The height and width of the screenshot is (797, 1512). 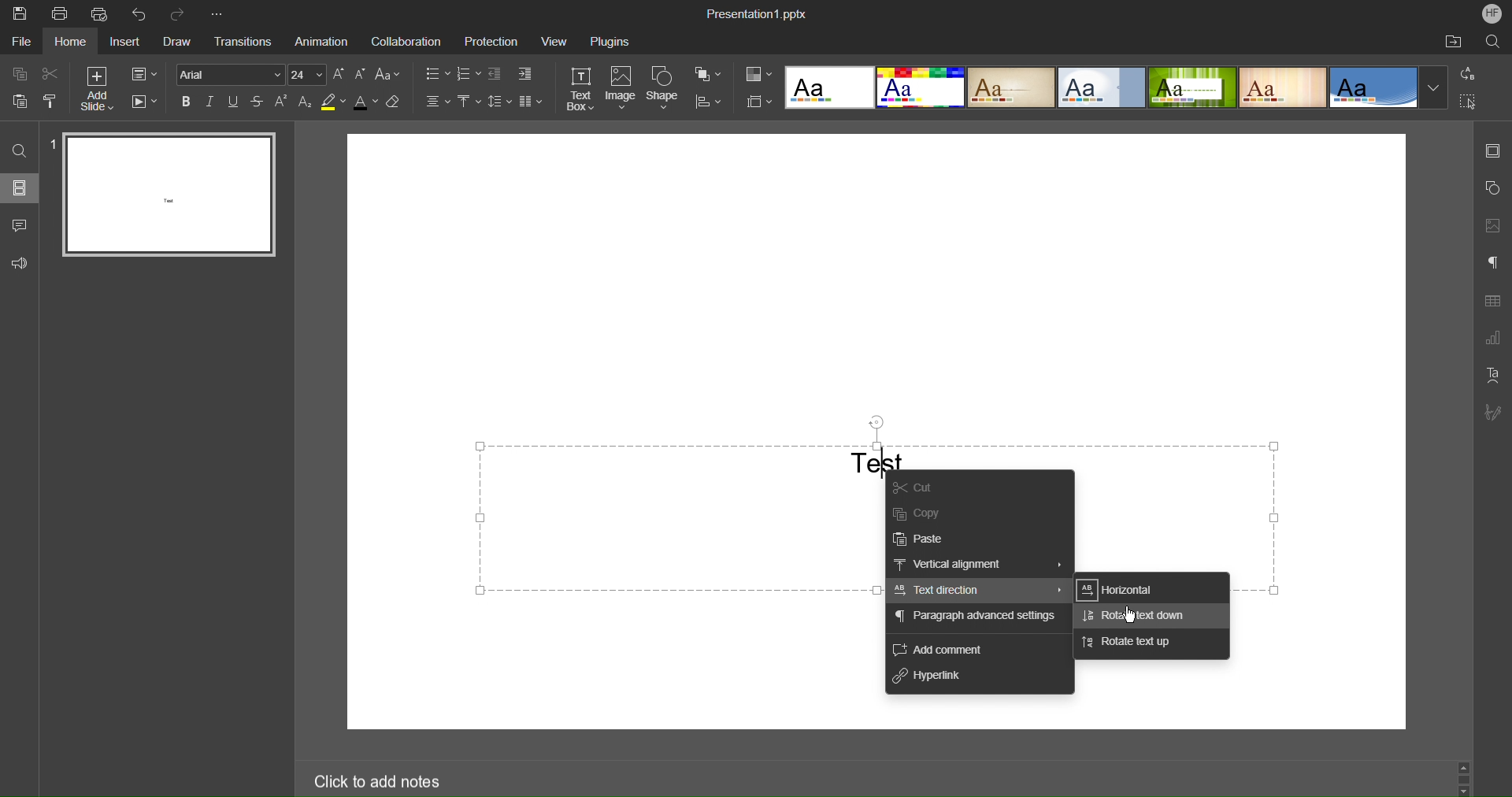 I want to click on Signature, so click(x=1493, y=413).